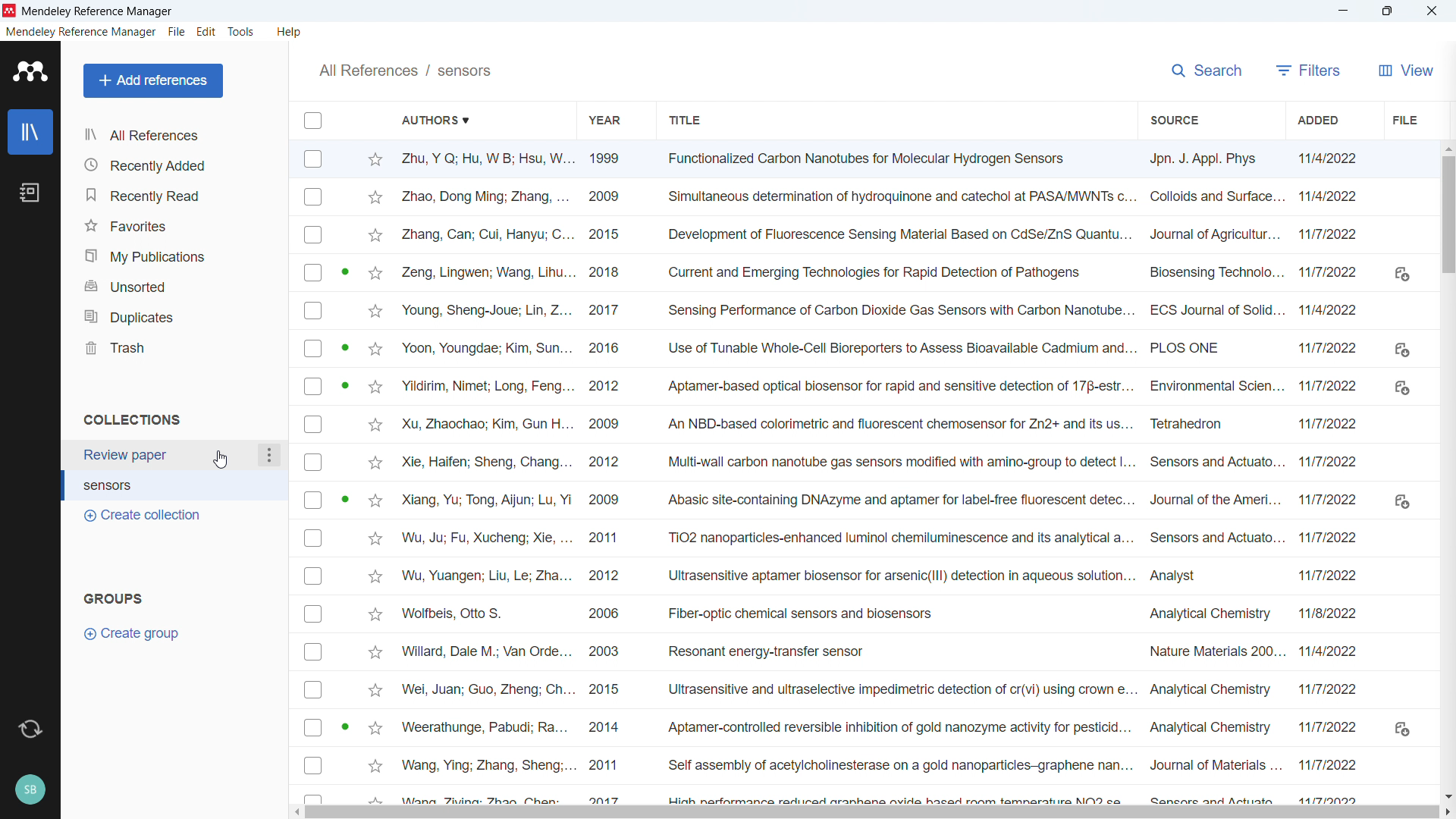 This screenshot has height=819, width=1456. Describe the element at coordinates (177, 256) in the screenshot. I see `Publications ` at that location.